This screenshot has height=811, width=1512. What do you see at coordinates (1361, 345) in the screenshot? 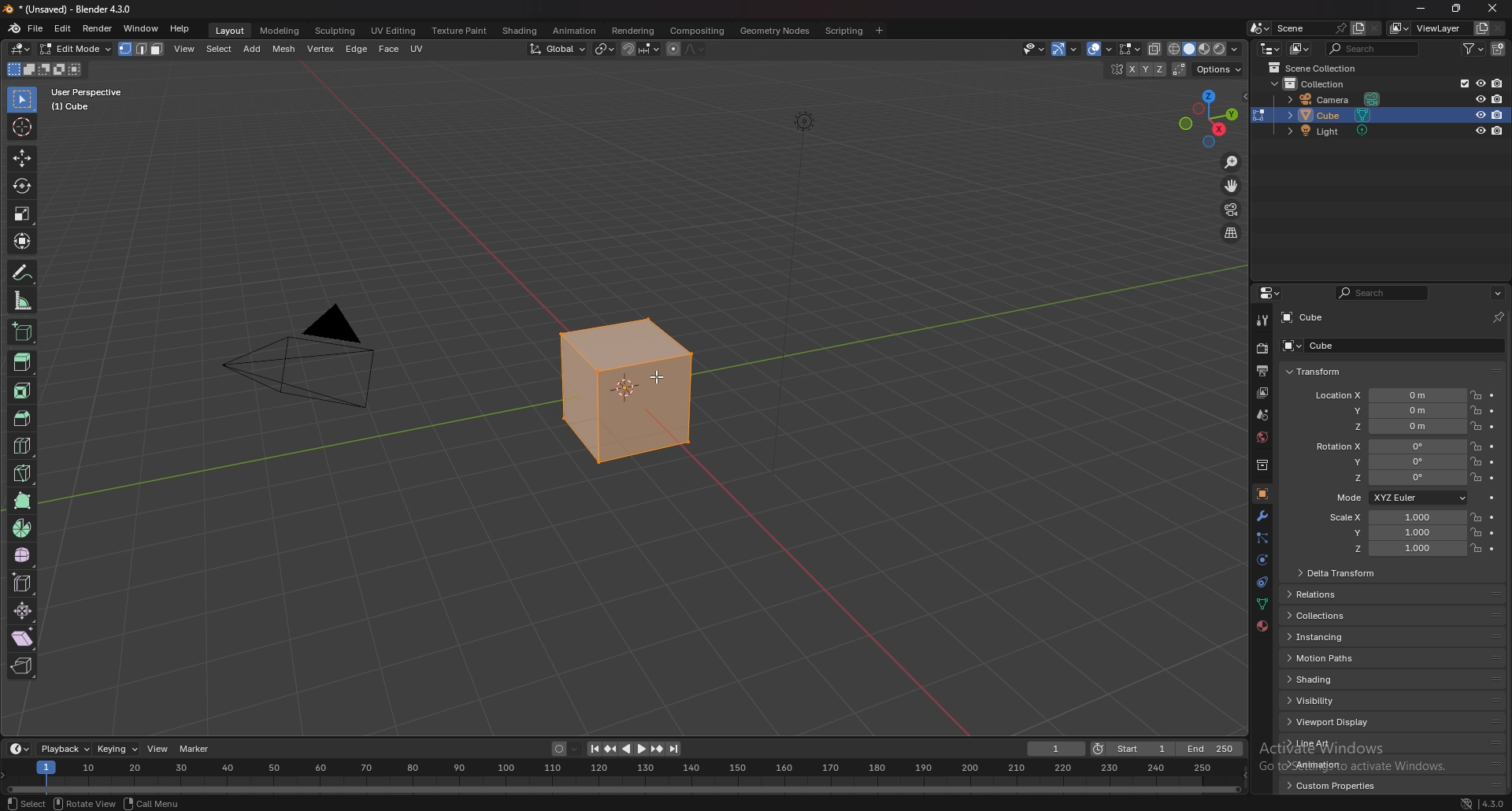
I see `cube` at bounding box center [1361, 345].